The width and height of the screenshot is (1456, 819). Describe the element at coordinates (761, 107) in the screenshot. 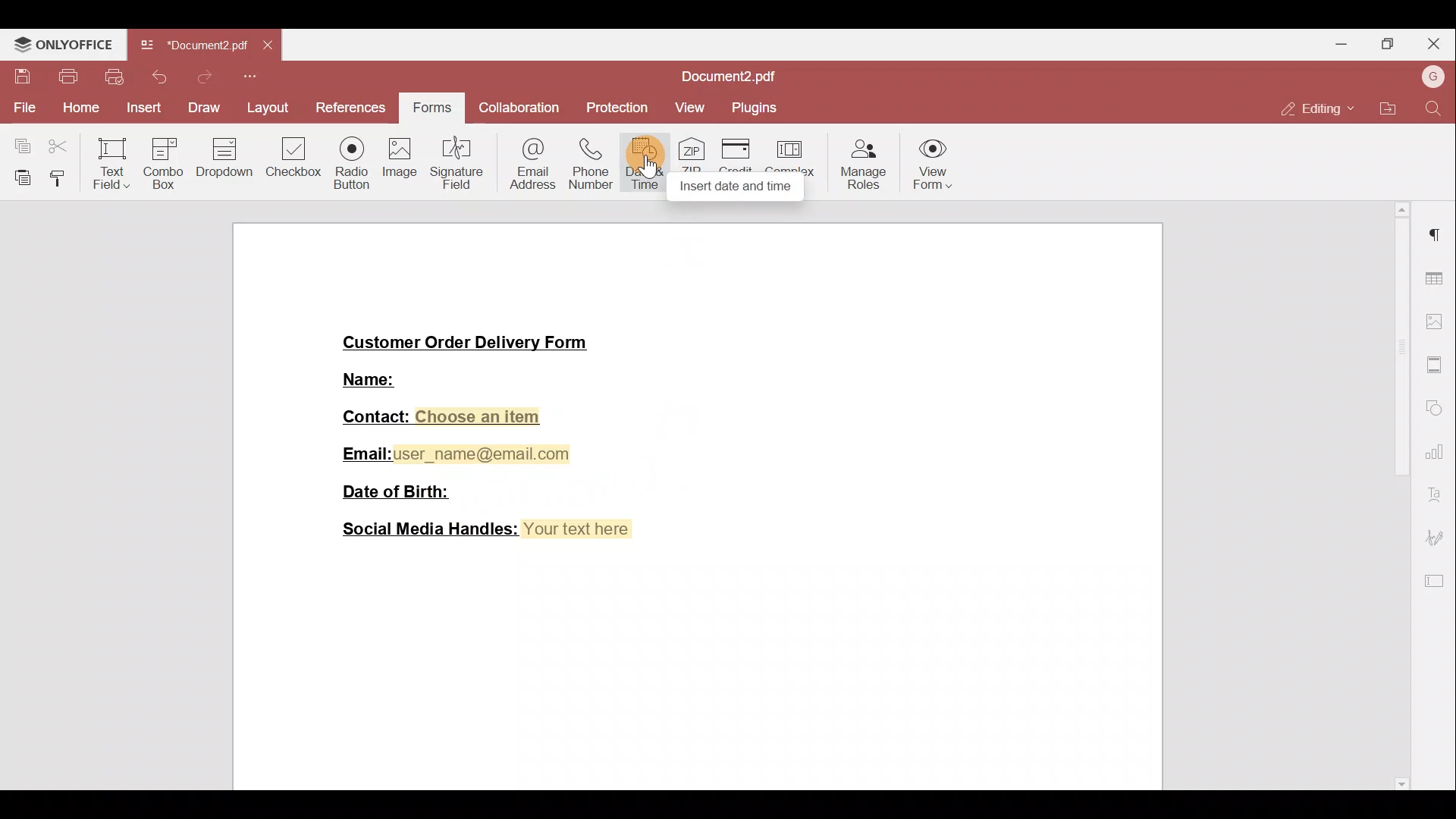

I see `Plugins` at that location.